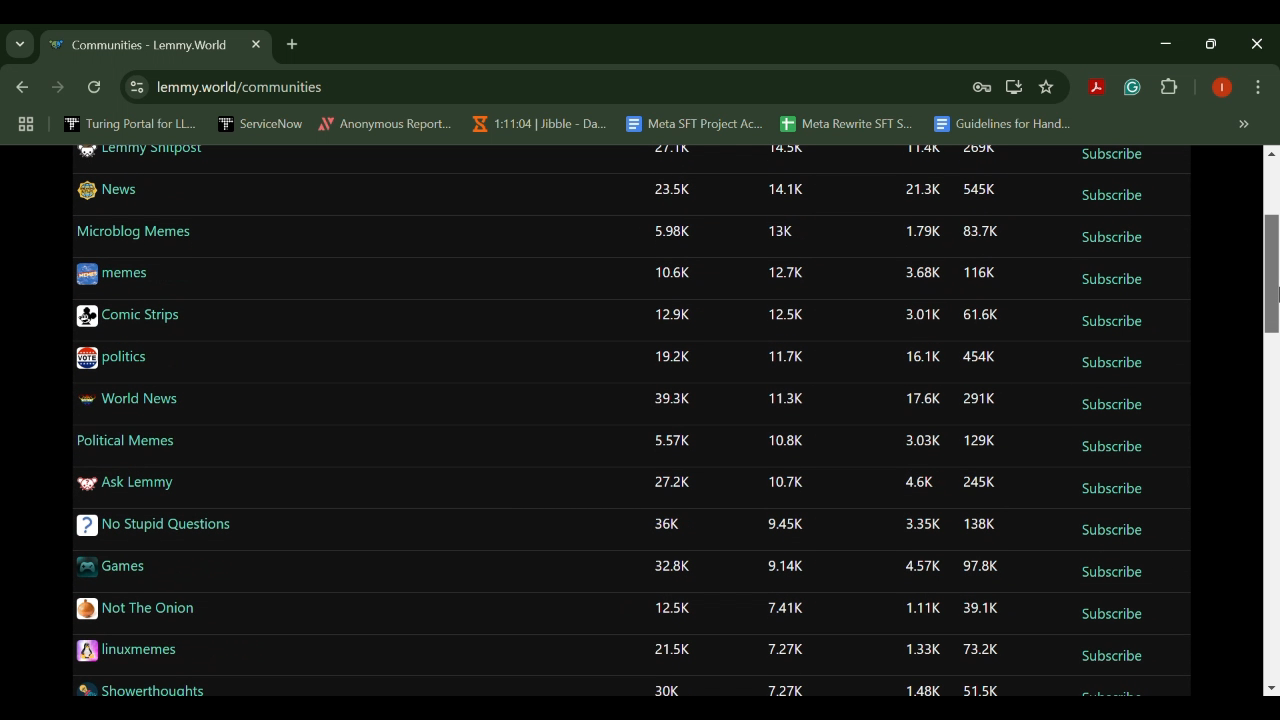 The width and height of the screenshot is (1280, 720). Describe the element at coordinates (1170, 88) in the screenshot. I see `Extensions` at that location.